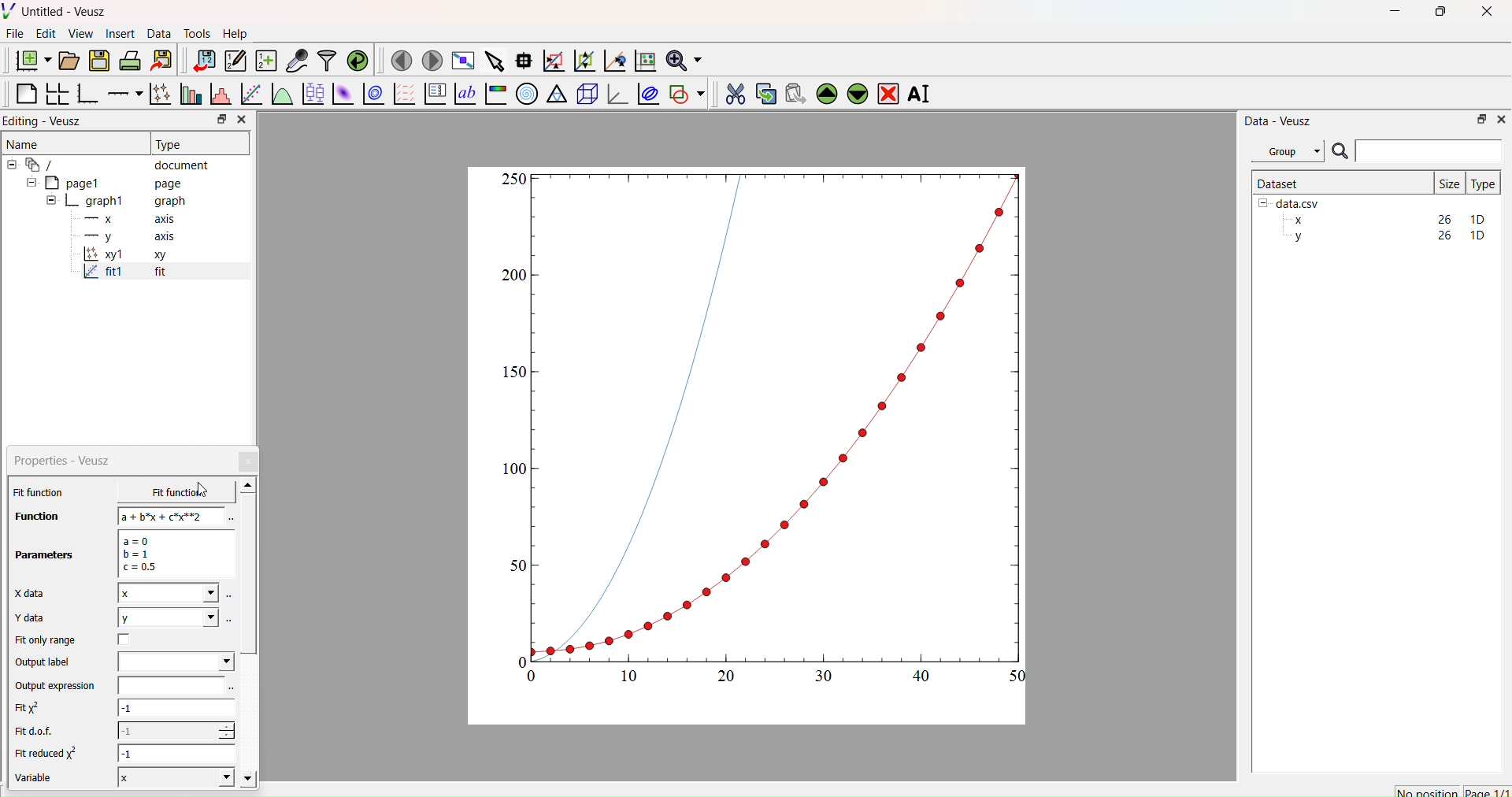 The image size is (1512, 797). Describe the element at coordinates (123, 33) in the screenshot. I see `Insert` at that location.